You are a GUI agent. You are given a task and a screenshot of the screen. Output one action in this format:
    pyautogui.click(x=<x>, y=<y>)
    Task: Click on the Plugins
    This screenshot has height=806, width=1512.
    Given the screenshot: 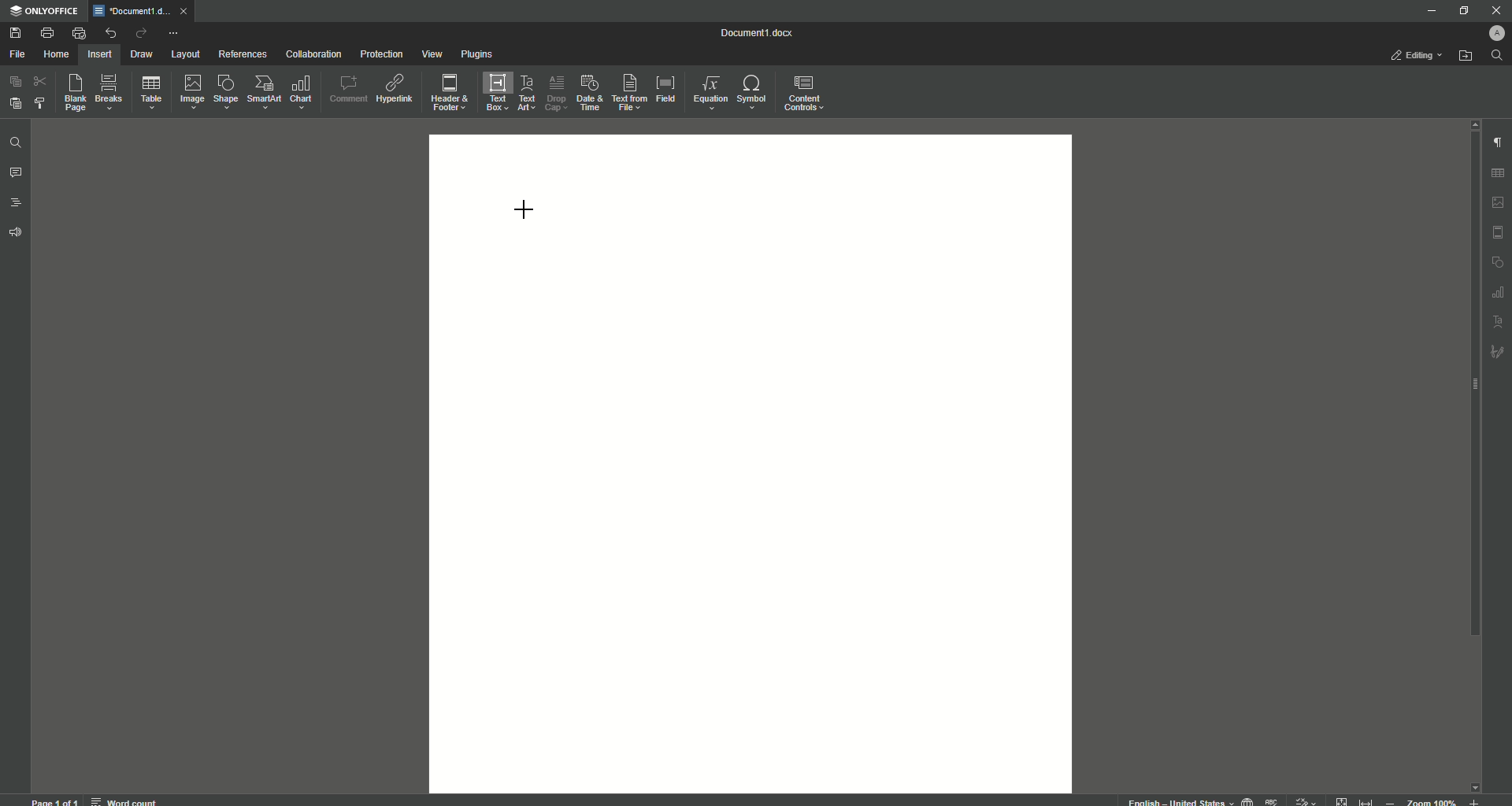 What is the action you would take?
    pyautogui.click(x=478, y=55)
    